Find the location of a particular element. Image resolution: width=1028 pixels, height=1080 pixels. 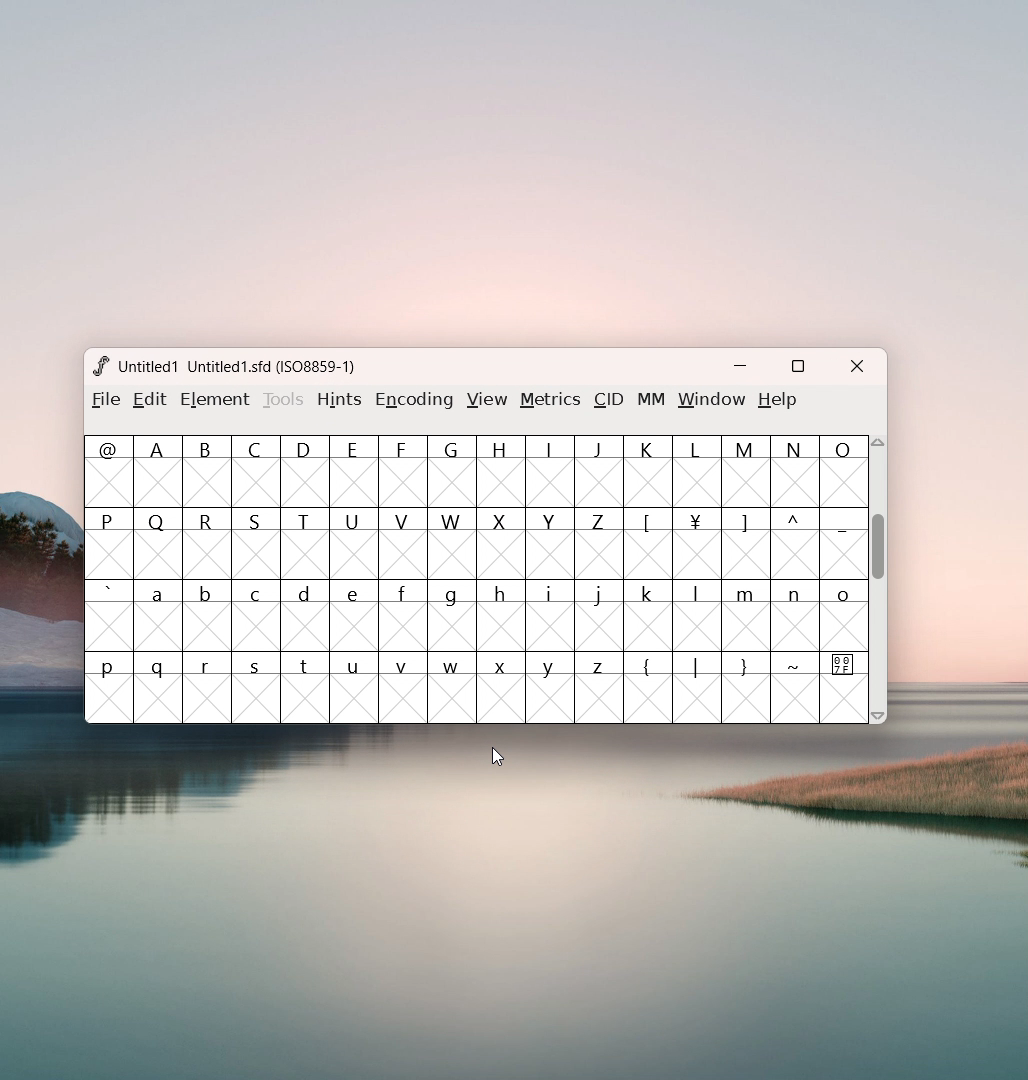

I is located at coordinates (551, 471).